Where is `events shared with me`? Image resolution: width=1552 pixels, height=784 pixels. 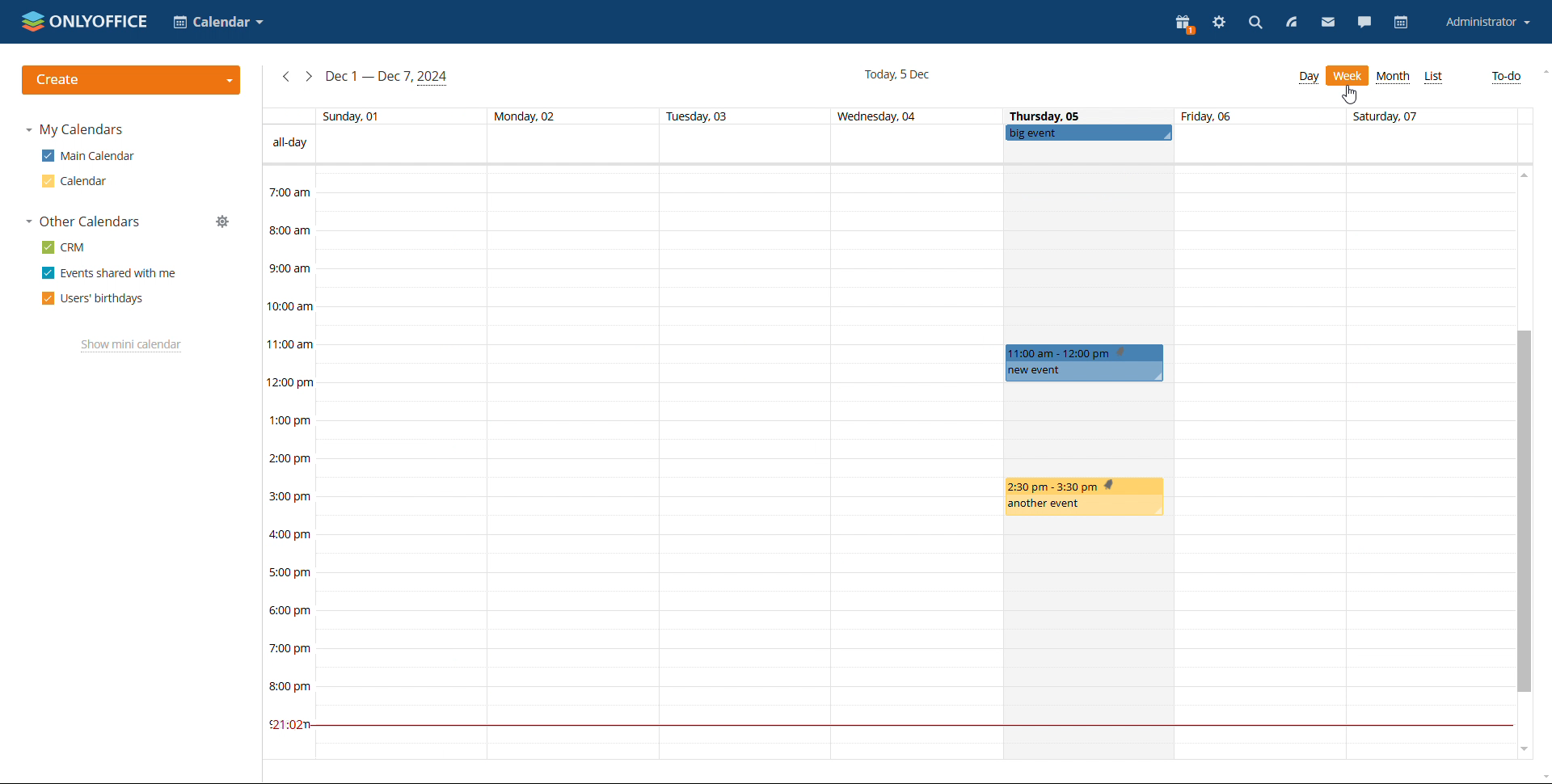
events shared with me is located at coordinates (110, 273).